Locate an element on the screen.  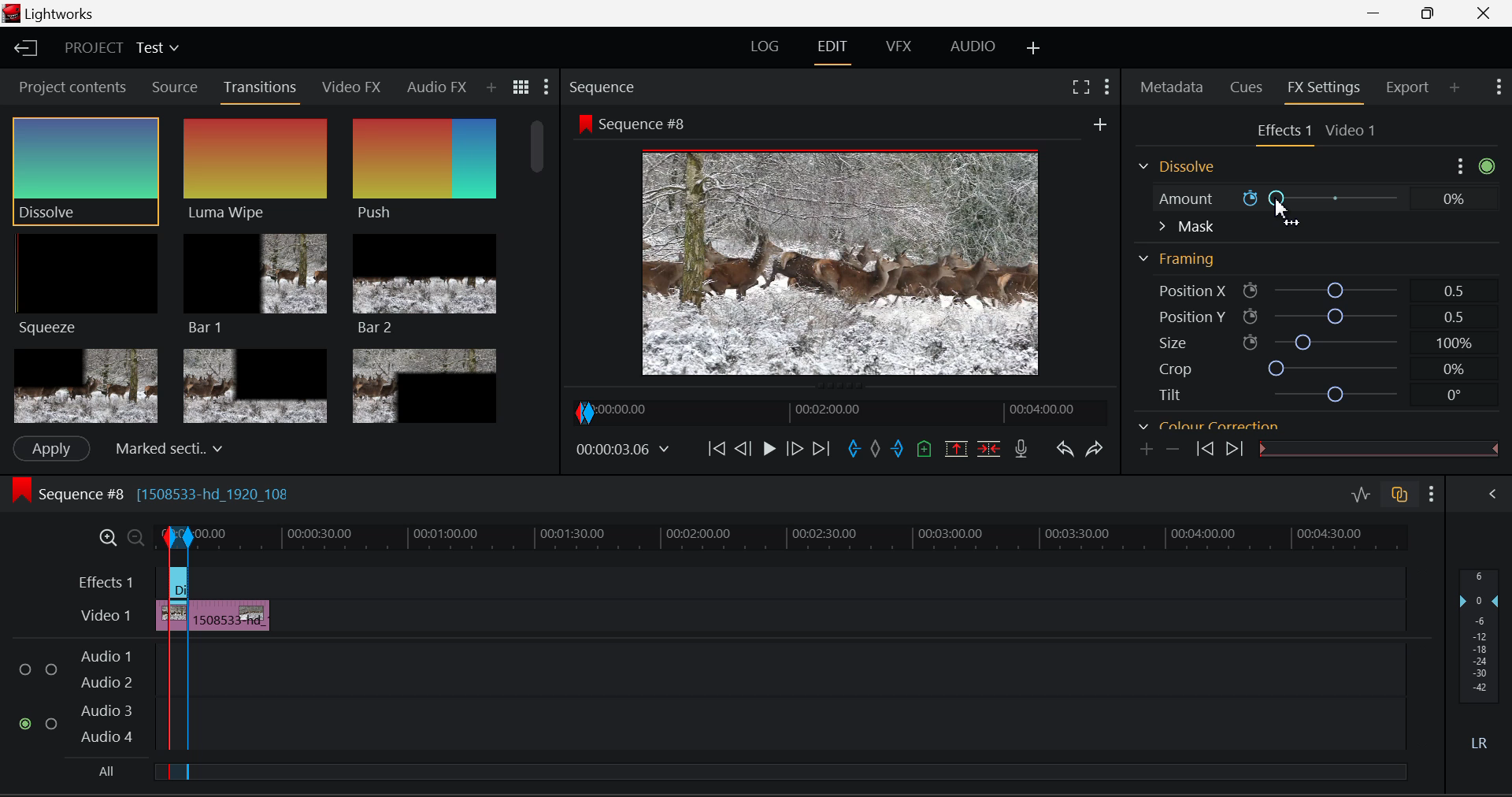
Remove Marked Section is located at coordinates (958, 448).